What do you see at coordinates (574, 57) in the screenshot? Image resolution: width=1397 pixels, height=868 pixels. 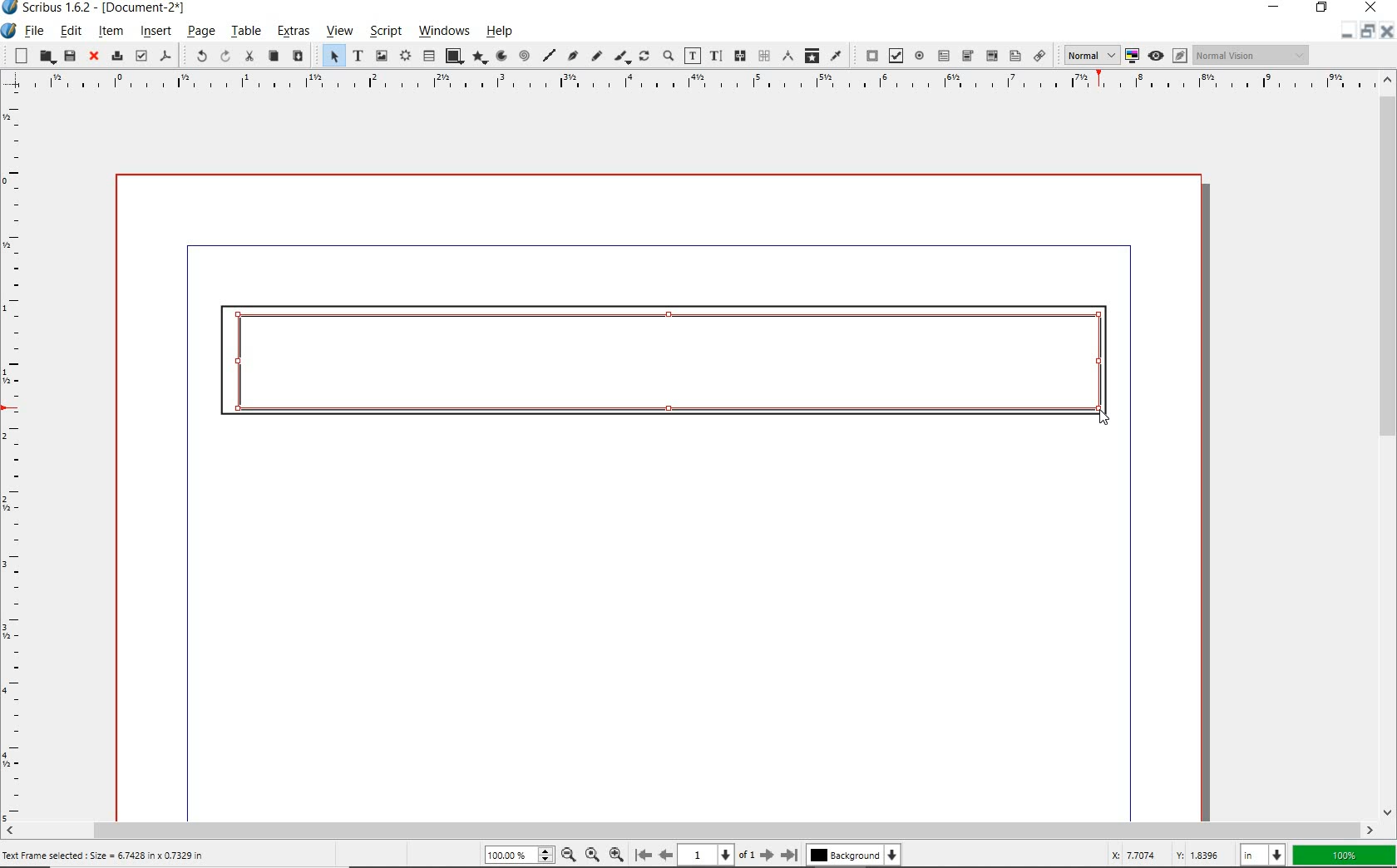 I see `Bezier curve` at bounding box center [574, 57].